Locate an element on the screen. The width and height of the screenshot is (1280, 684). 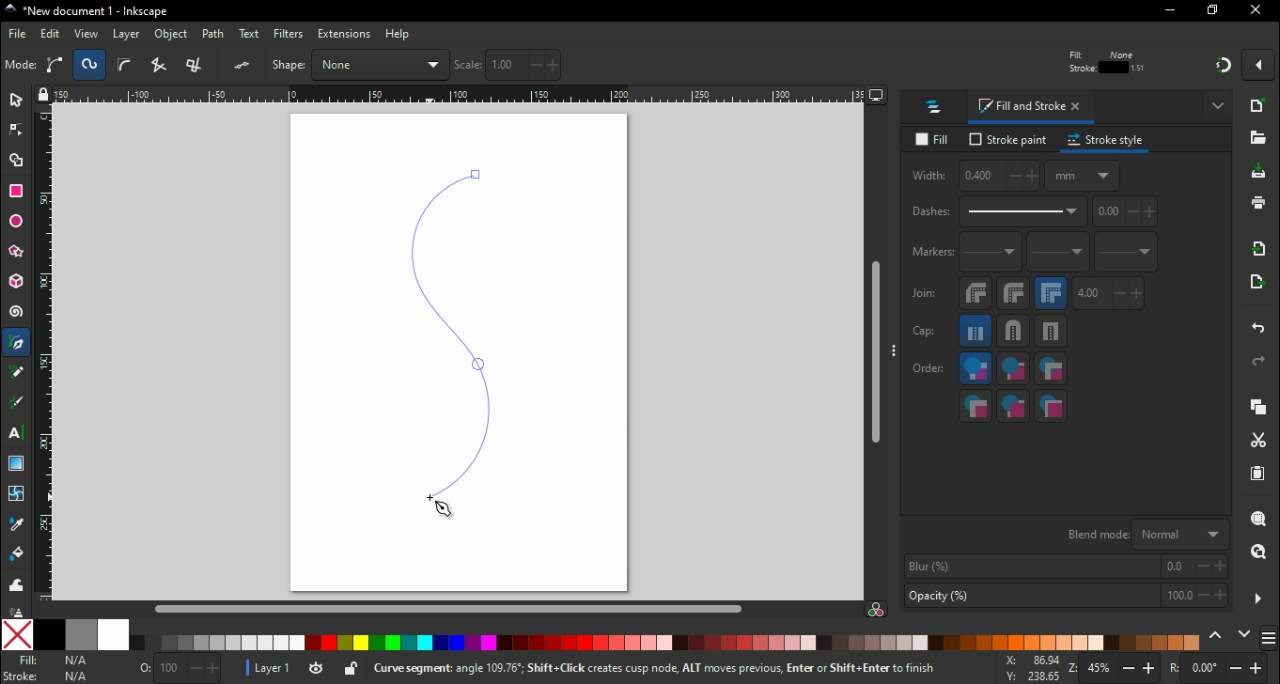
zoom drawing is located at coordinates (1258, 553).